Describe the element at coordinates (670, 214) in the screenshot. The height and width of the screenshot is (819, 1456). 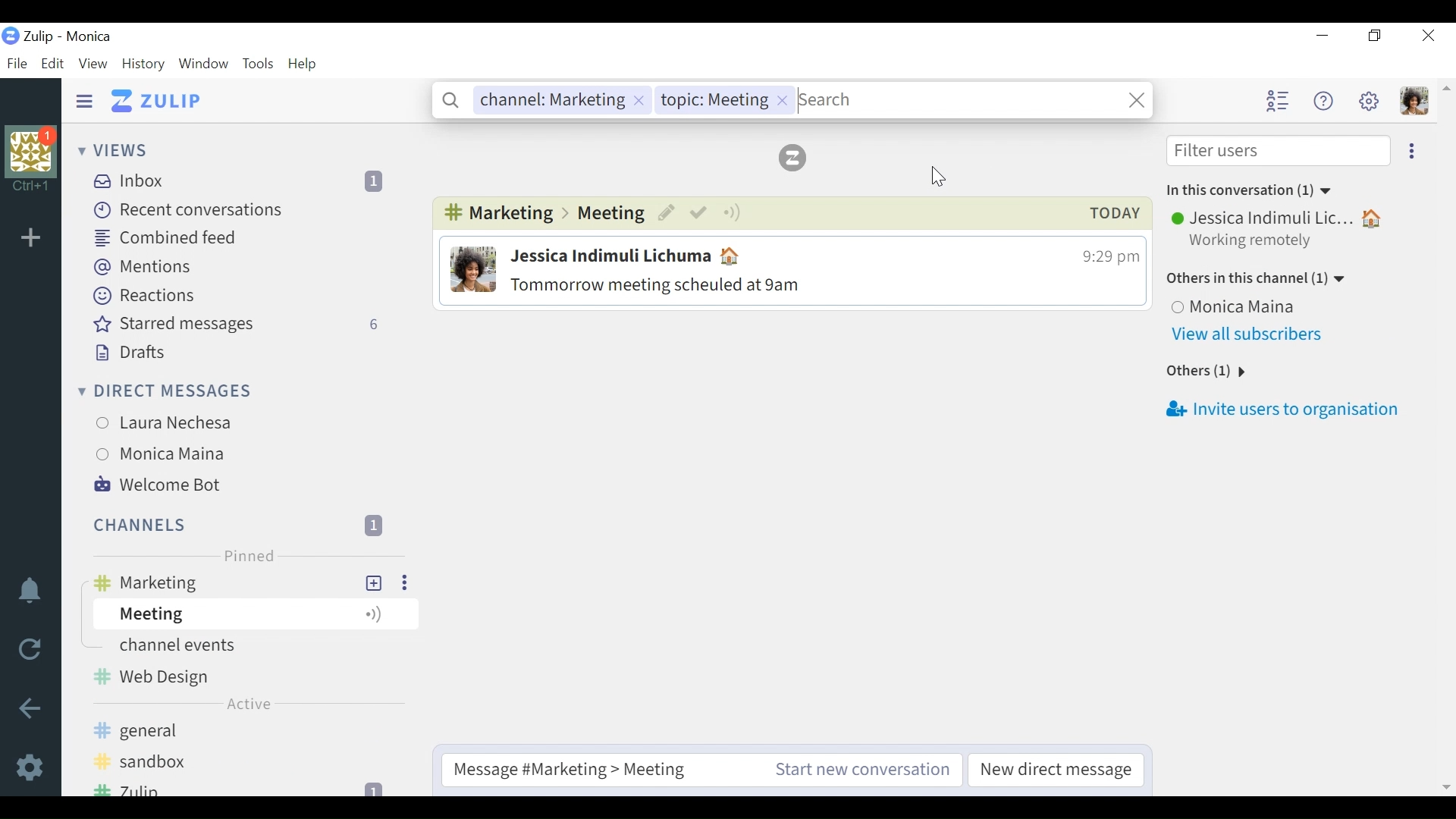
I see `Edit` at that location.